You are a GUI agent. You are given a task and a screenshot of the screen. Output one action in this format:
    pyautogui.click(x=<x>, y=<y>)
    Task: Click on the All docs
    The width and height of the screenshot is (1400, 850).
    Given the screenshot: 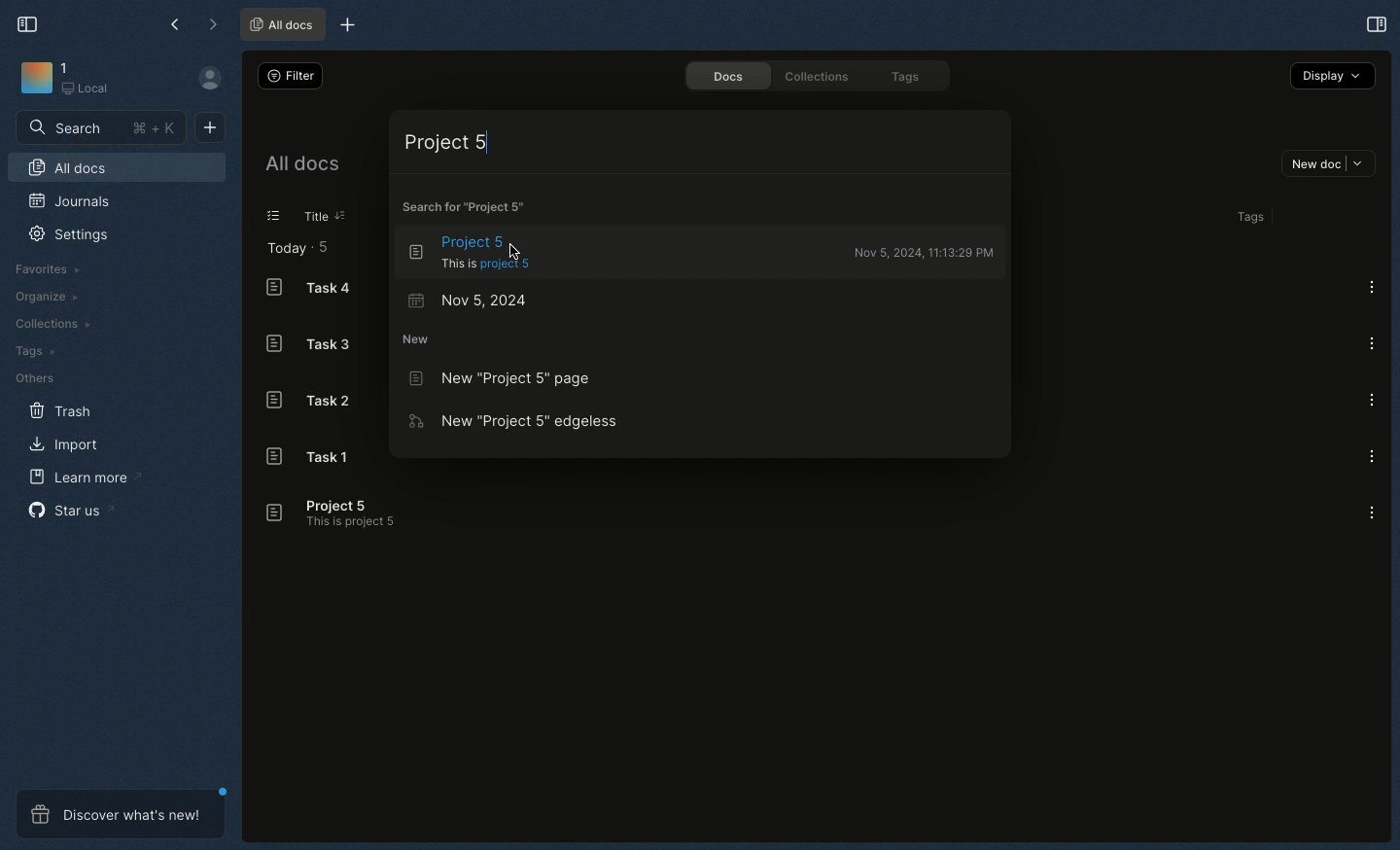 What is the action you would take?
    pyautogui.click(x=311, y=166)
    